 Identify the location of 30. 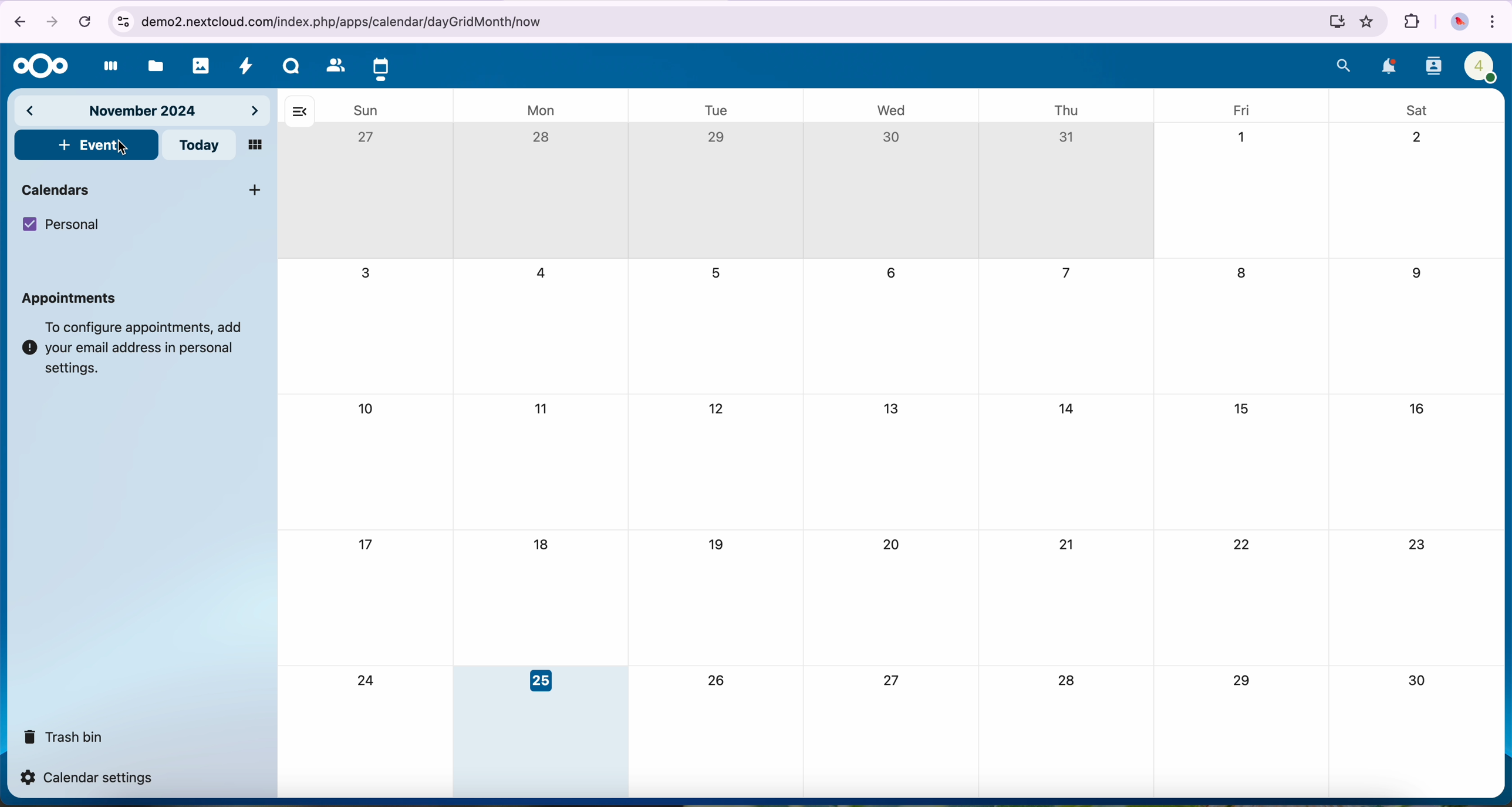
(1416, 681).